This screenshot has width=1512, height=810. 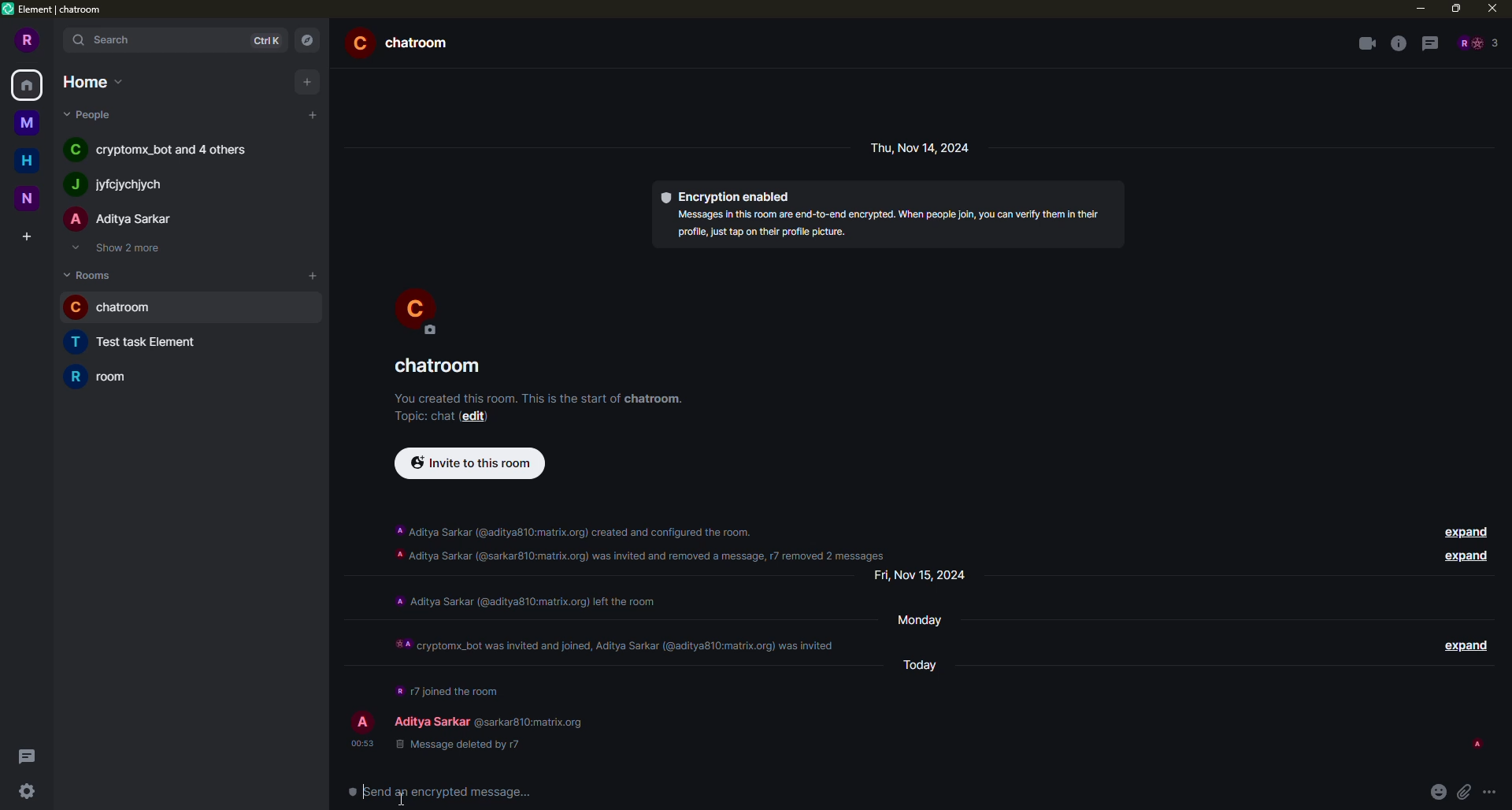 What do you see at coordinates (1465, 793) in the screenshot?
I see `attach` at bounding box center [1465, 793].